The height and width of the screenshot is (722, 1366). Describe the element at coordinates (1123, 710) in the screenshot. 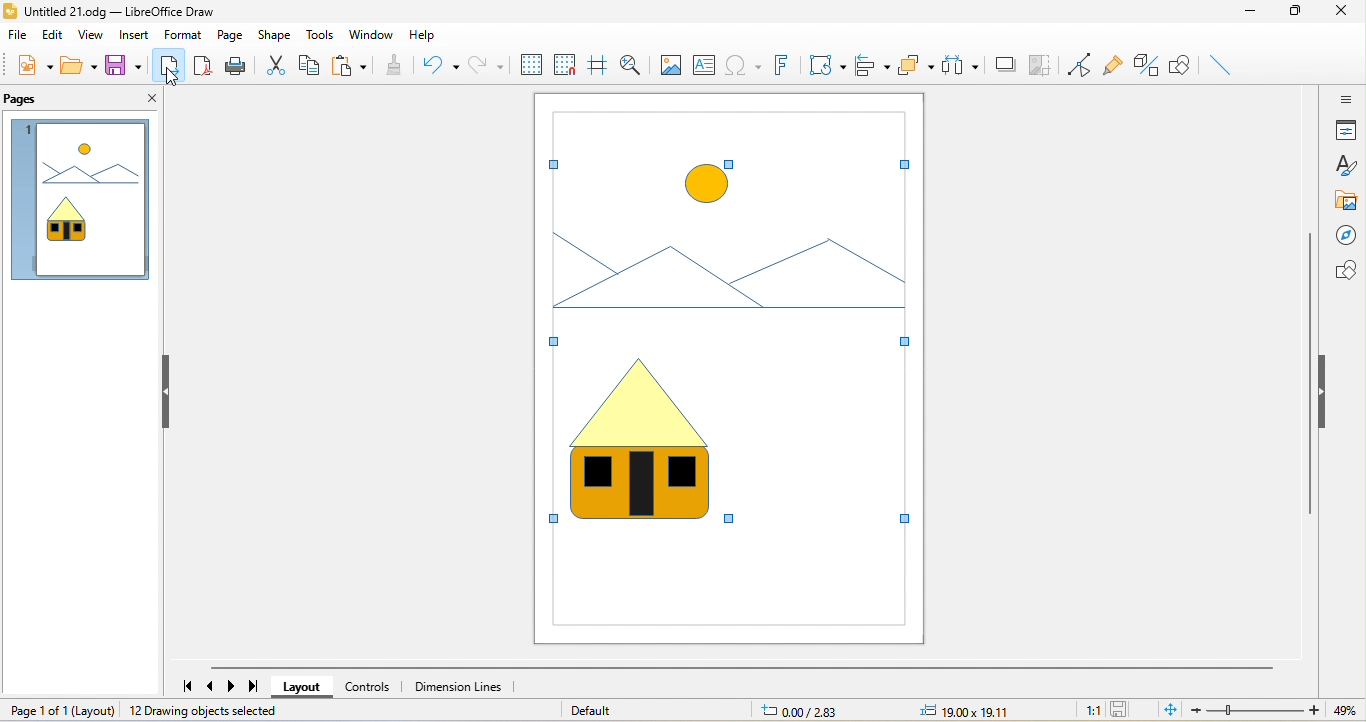

I see `save` at that location.